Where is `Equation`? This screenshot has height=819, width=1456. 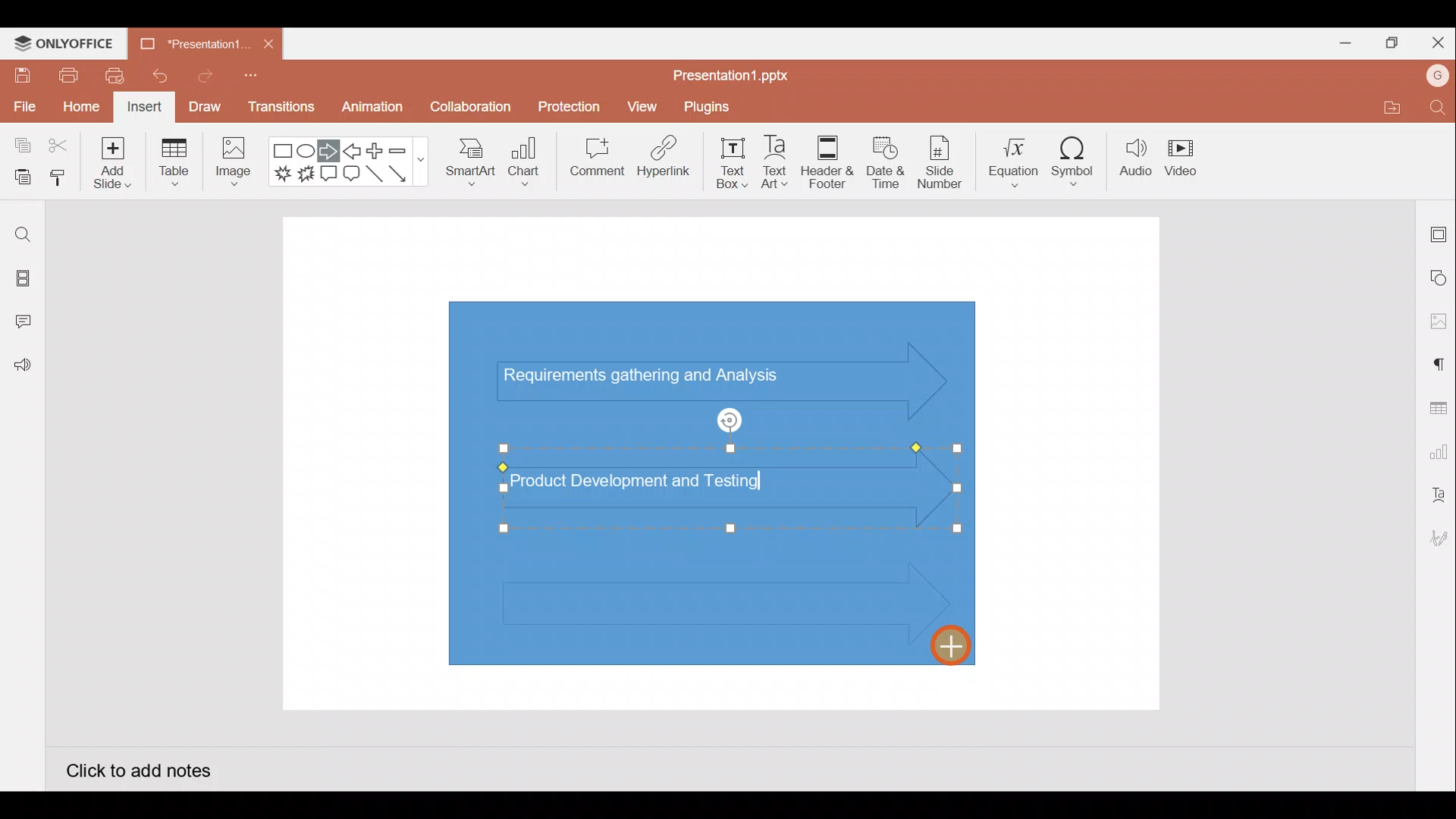
Equation is located at coordinates (1015, 157).